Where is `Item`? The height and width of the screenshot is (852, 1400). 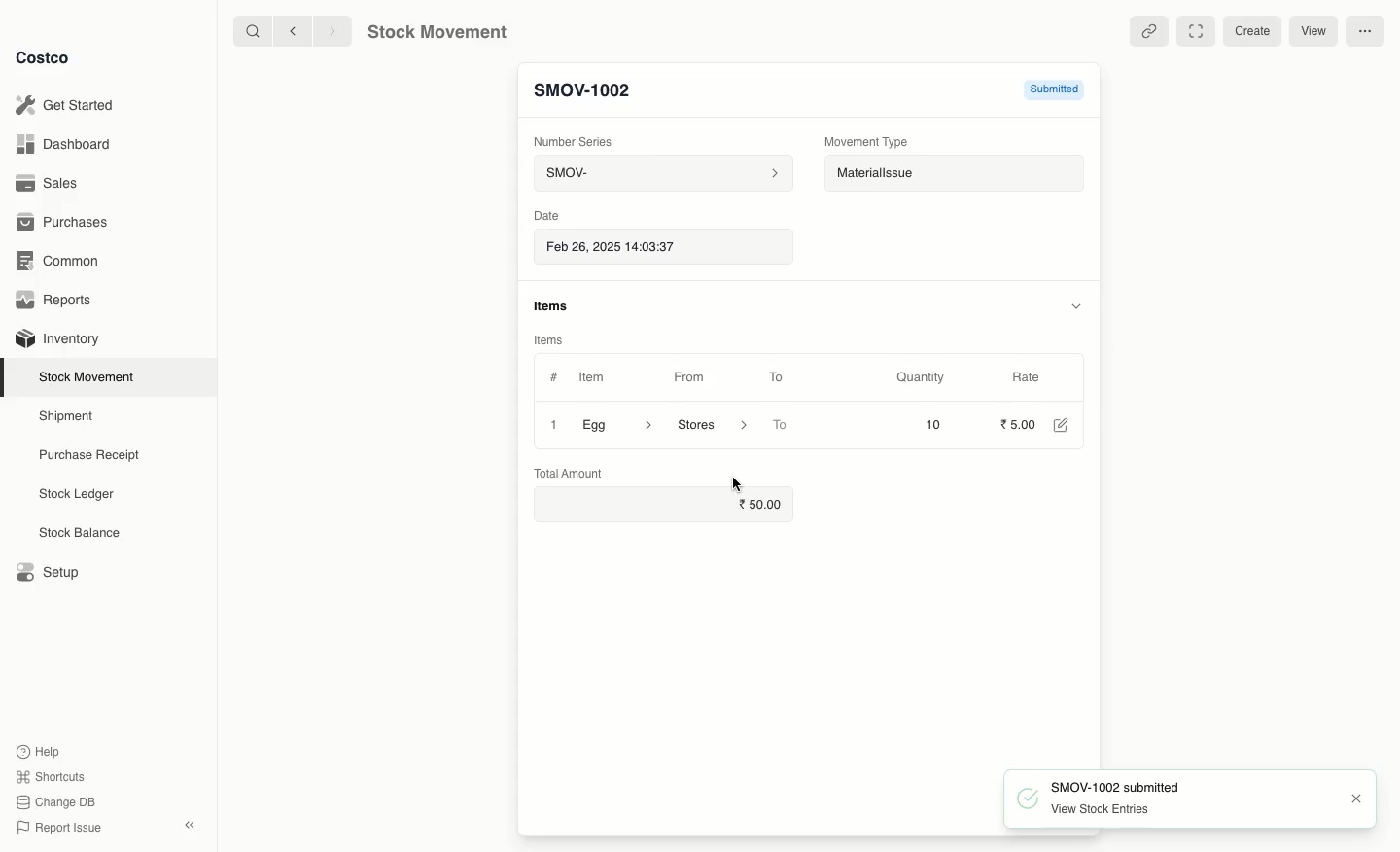
Item is located at coordinates (602, 376).